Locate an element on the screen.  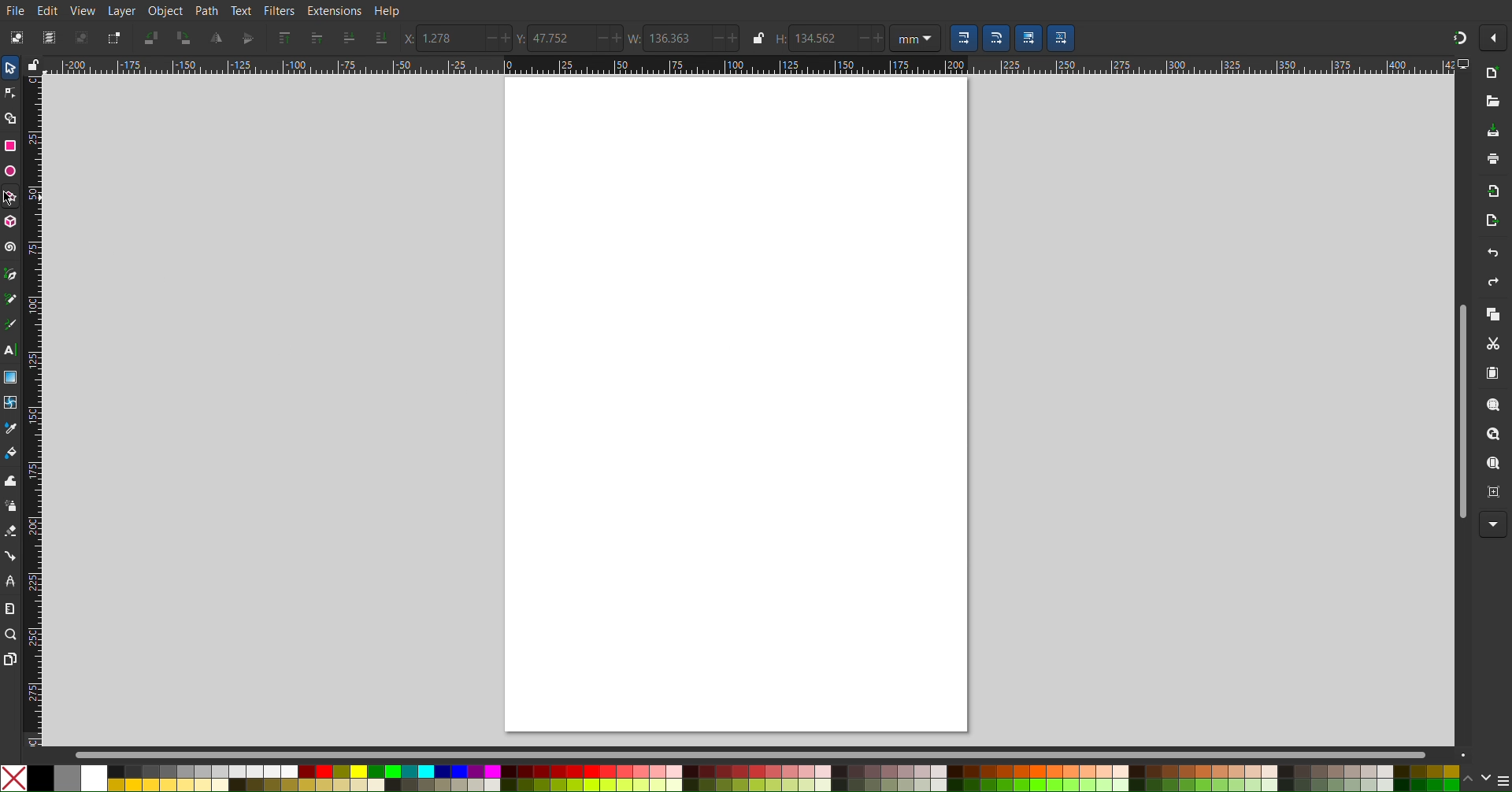
Zoom Drawing is located at coordinates (1495, 435).